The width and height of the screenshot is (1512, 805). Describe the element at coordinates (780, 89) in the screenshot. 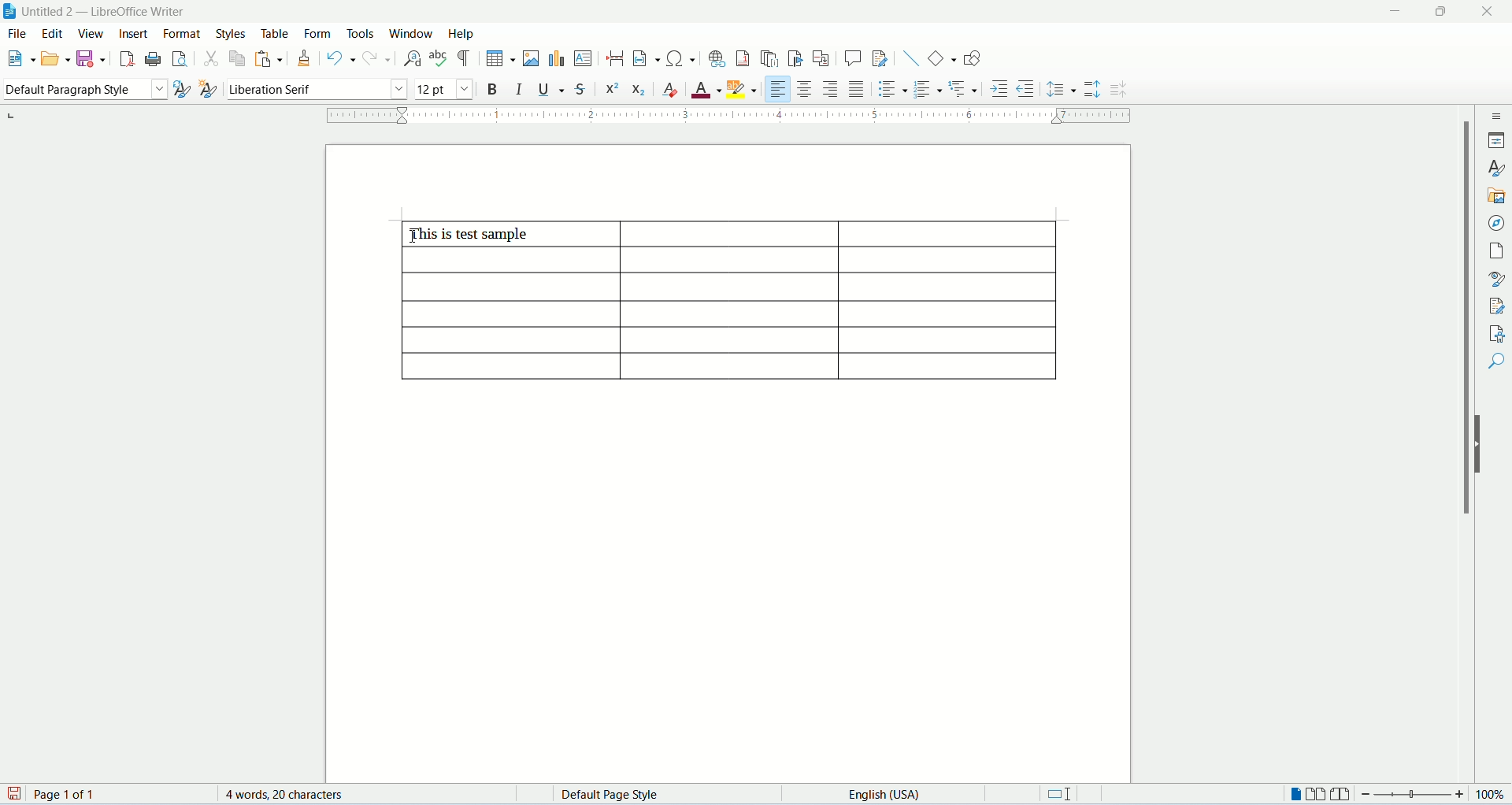

I see `align left` at that location.